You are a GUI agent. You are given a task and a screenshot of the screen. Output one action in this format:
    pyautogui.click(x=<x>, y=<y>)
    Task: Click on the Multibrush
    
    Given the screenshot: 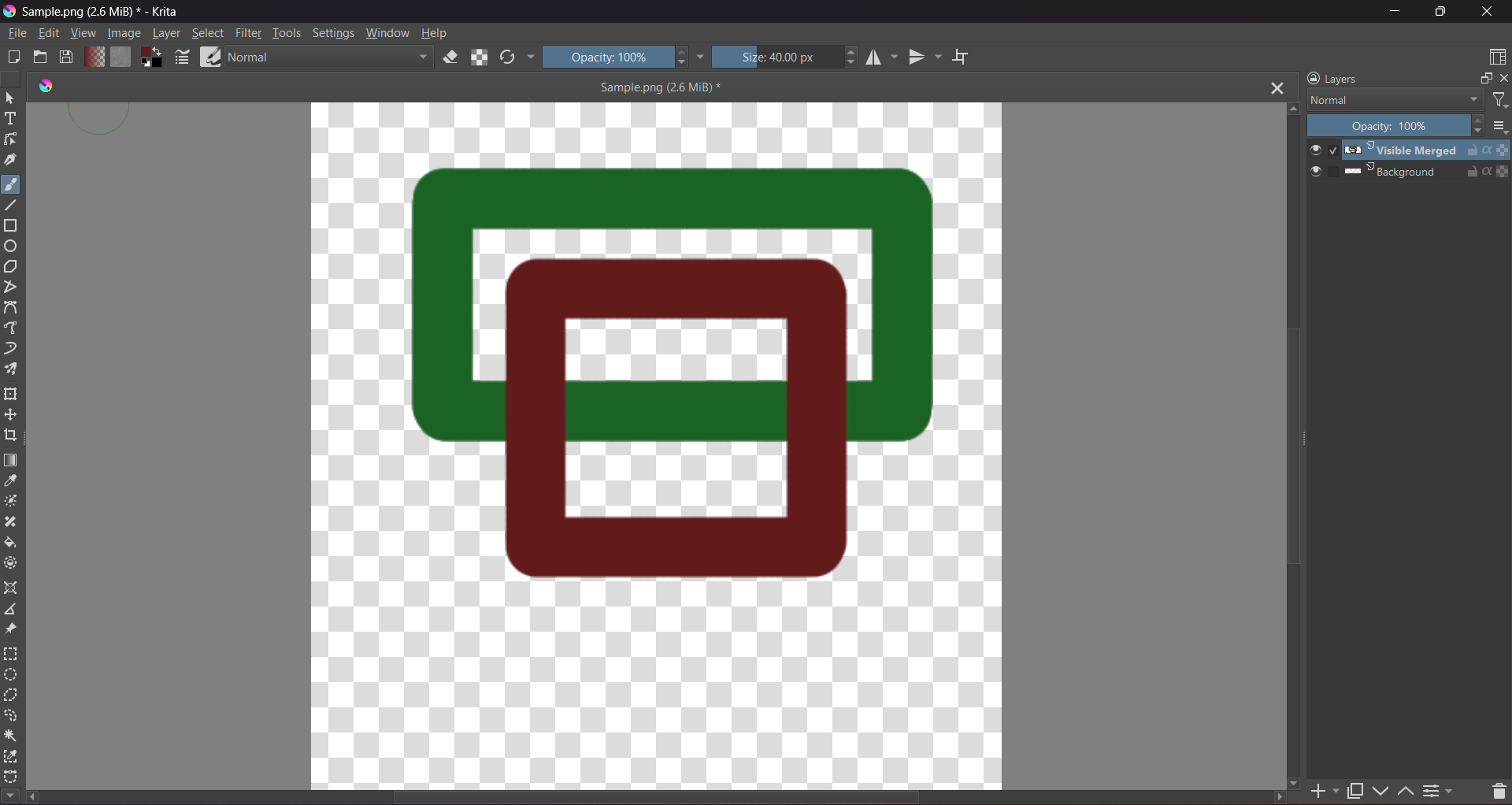 What is the action you would take?
    pyautogui.click(x=13, y=369)
    